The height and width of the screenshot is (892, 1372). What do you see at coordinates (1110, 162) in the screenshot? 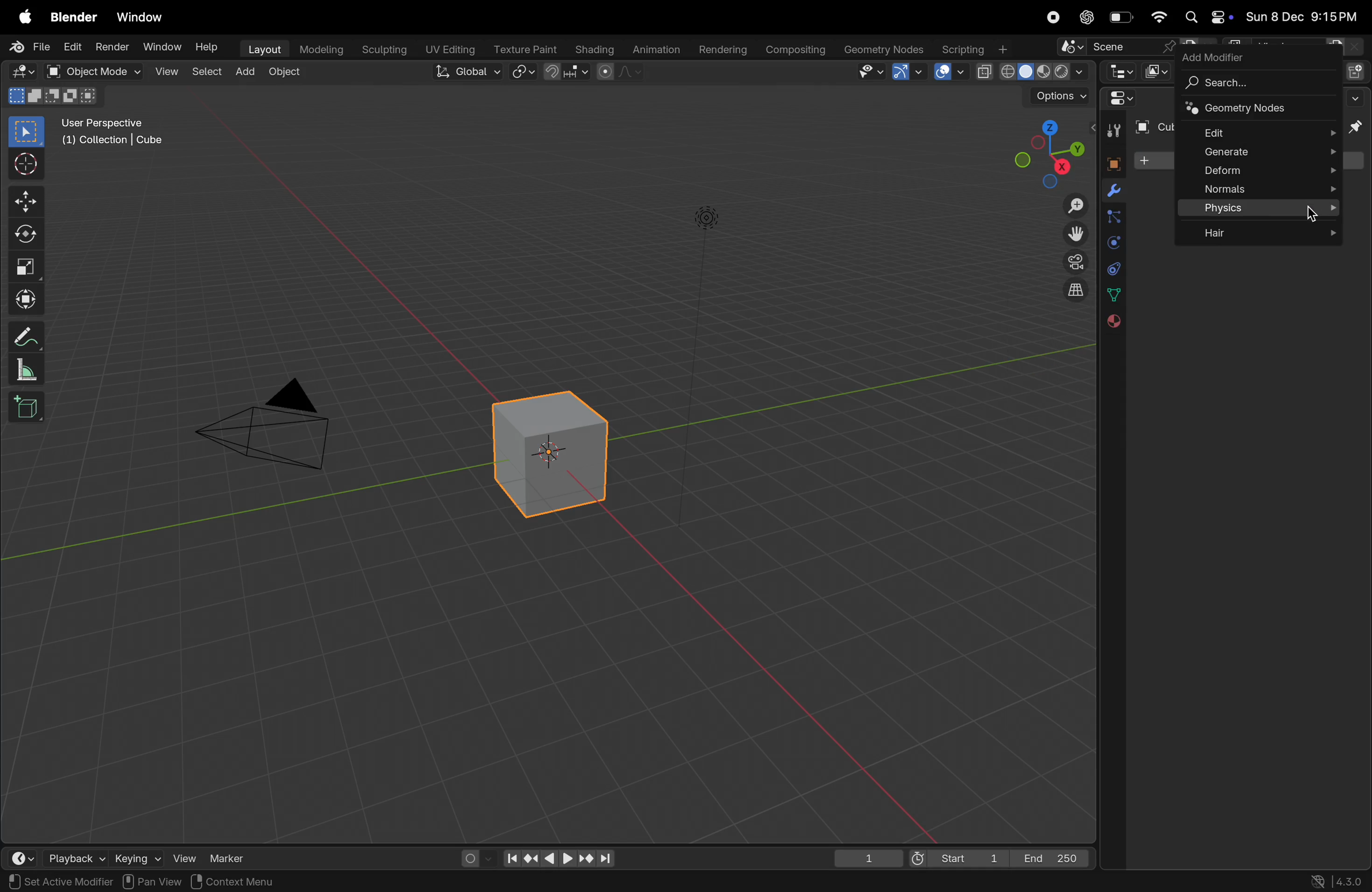
I see `object` at bounding box center [1110, 162].